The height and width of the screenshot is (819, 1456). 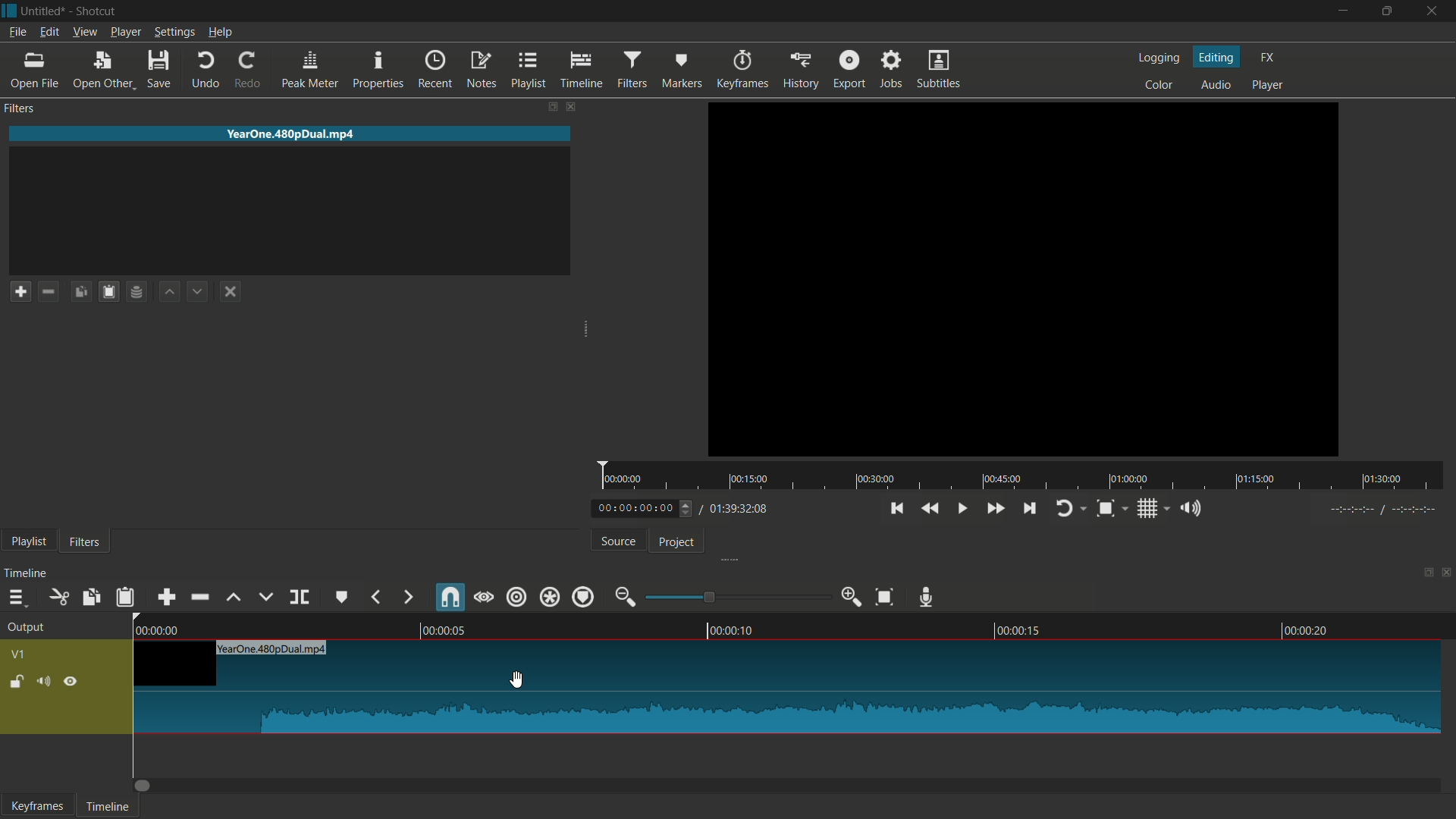 I want to click on close app, so click(x=1434, y=11).